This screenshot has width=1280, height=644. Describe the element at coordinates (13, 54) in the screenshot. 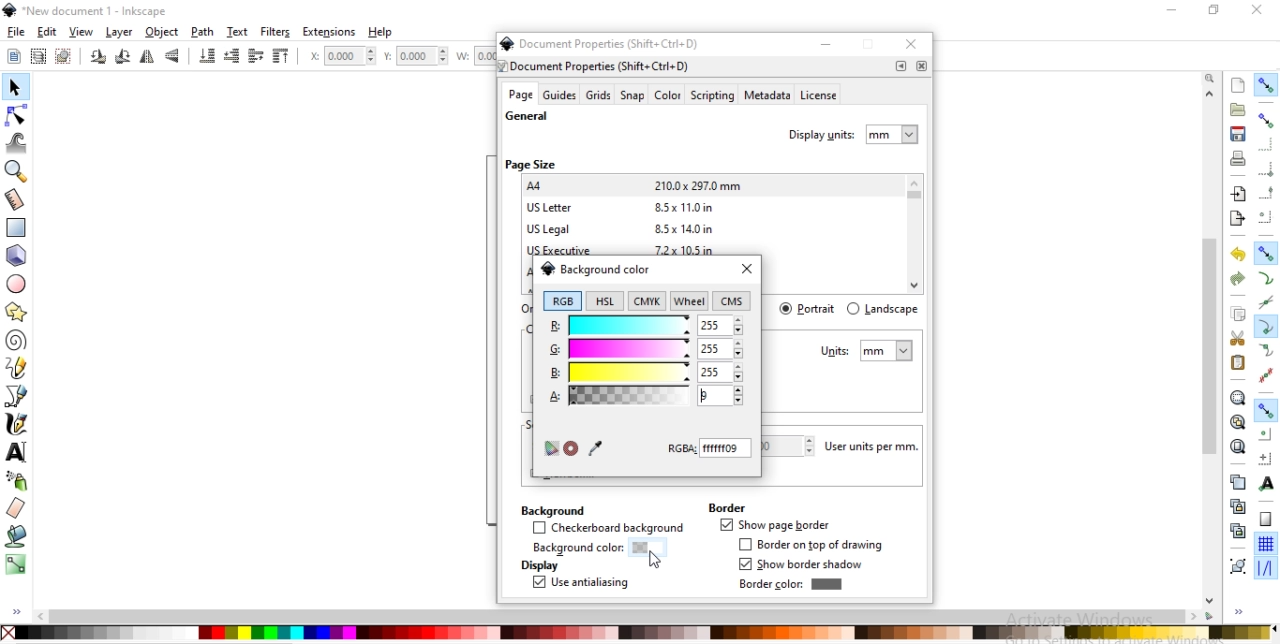

I see `select all objects or nodes` at that location.